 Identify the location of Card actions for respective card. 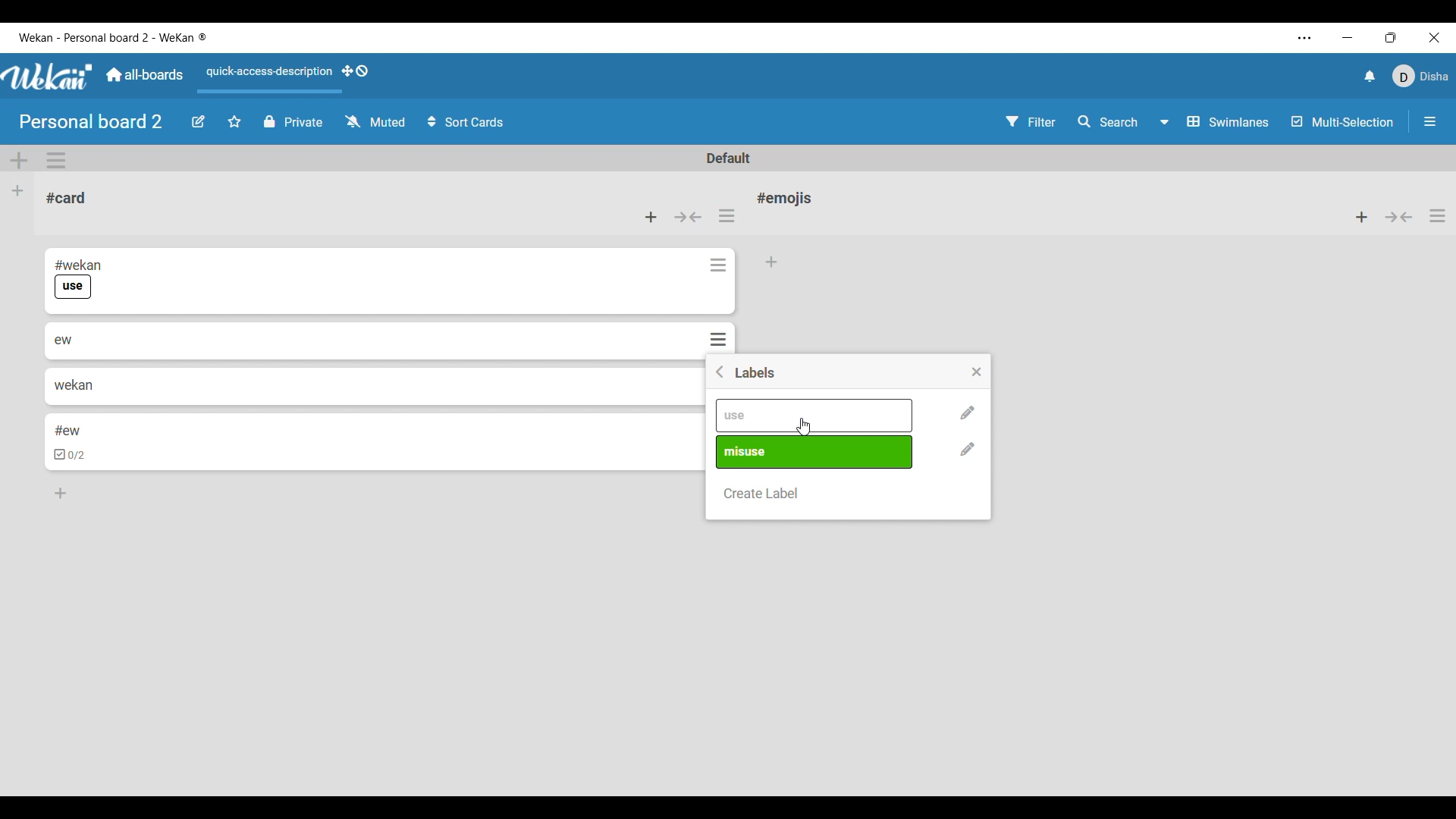
(718, 340).